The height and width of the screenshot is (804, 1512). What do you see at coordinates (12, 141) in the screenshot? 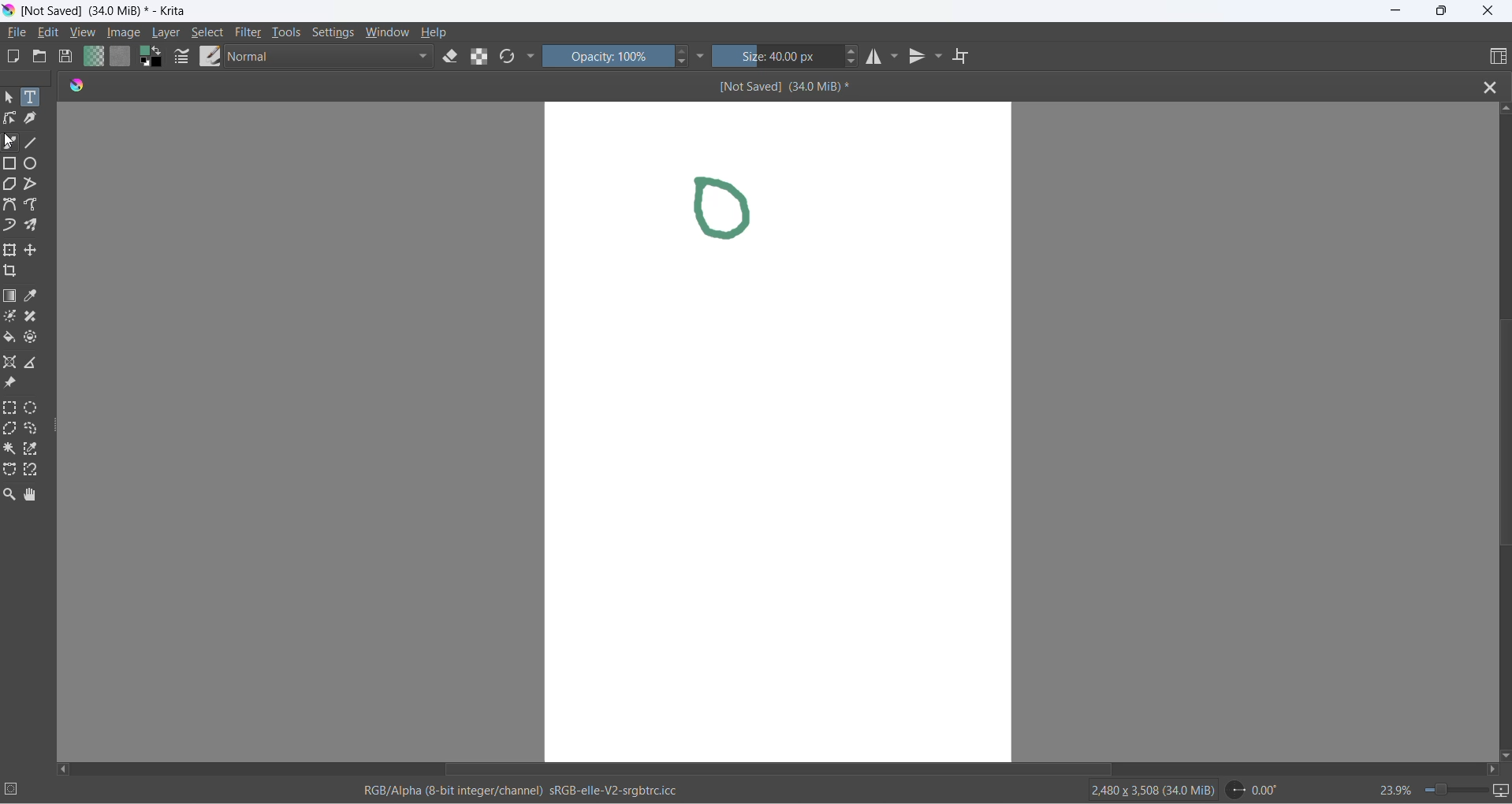
I see `freehand brush tool` at bounding box center [12, 141].